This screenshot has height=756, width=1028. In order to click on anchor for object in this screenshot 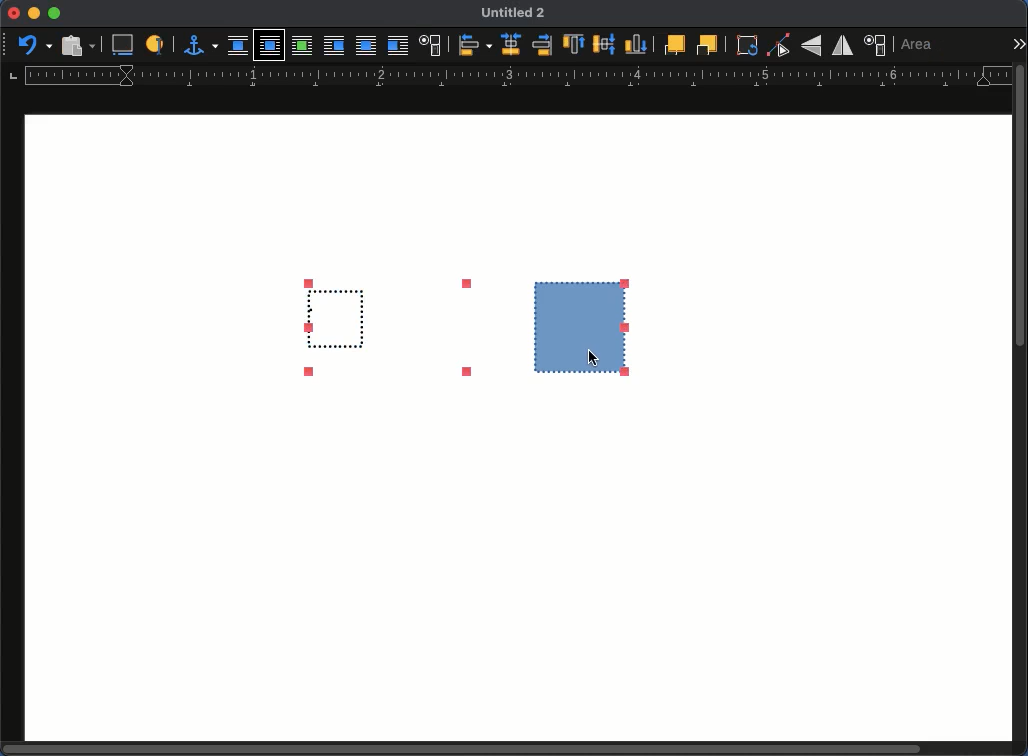, I will do `click(202, 48)`.